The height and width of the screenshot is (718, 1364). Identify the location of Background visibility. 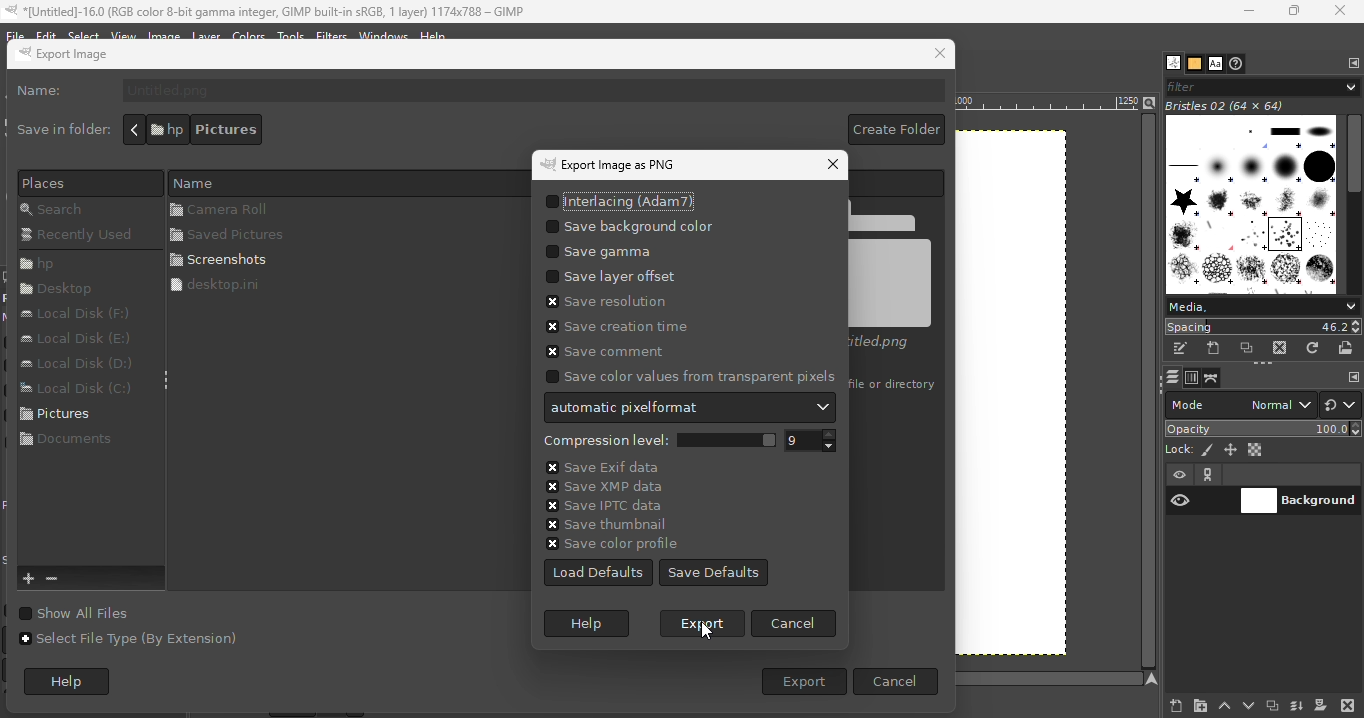
(1300, 502).